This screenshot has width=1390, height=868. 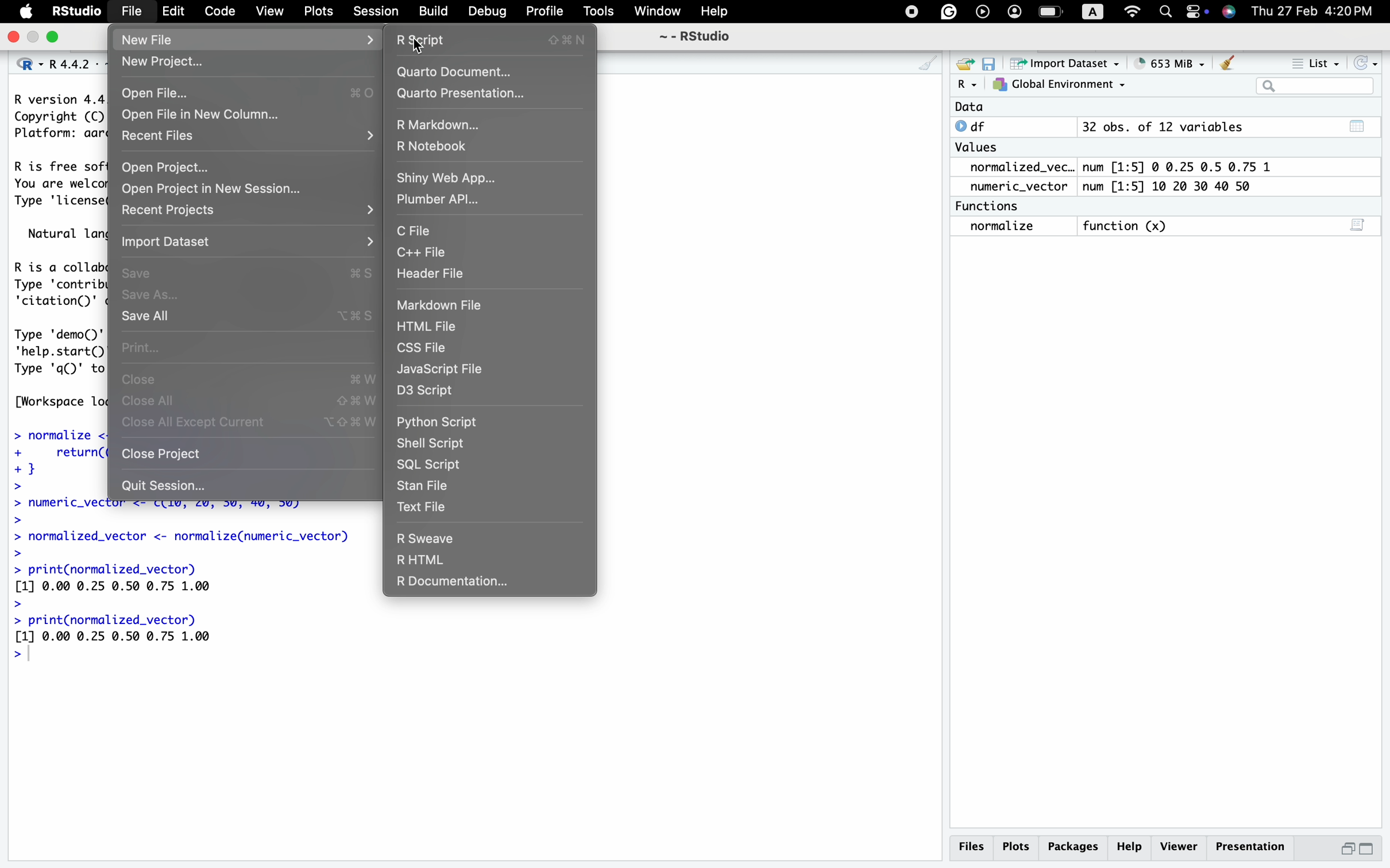 What do you see at coordinates (970, 846) in the screenshot?
I see `Files` at bounding box center [970, 846].